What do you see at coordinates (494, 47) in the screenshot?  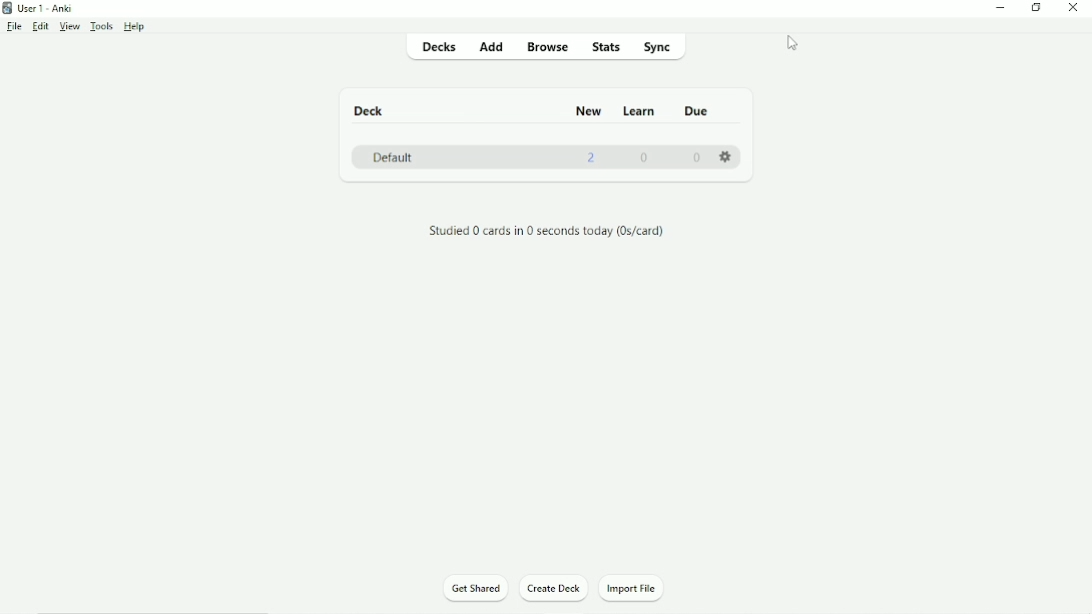 I see `Add` at bounding box center [494, 47].